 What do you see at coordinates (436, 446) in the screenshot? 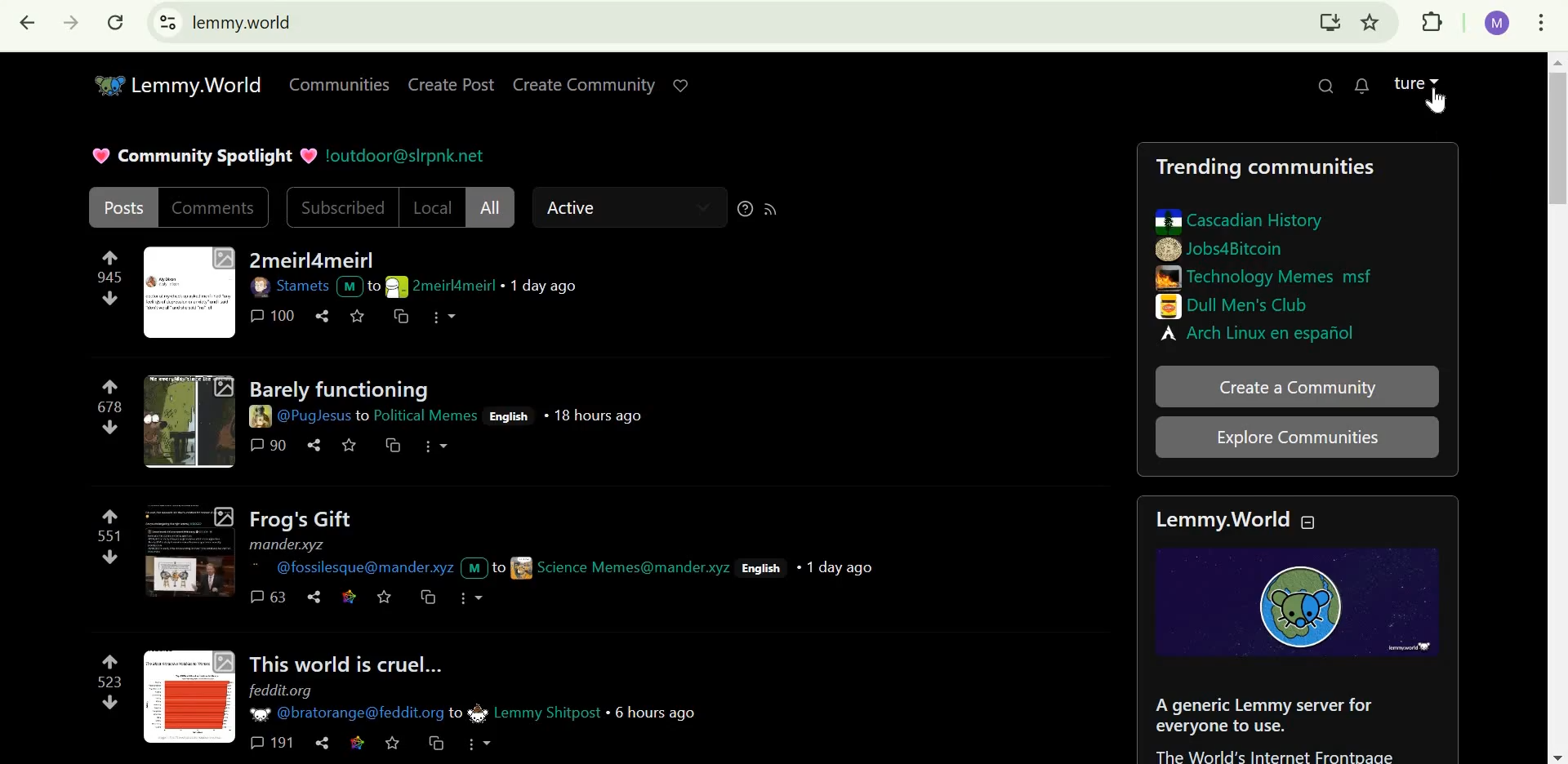
I see `more` at bounding box center [436, 446].